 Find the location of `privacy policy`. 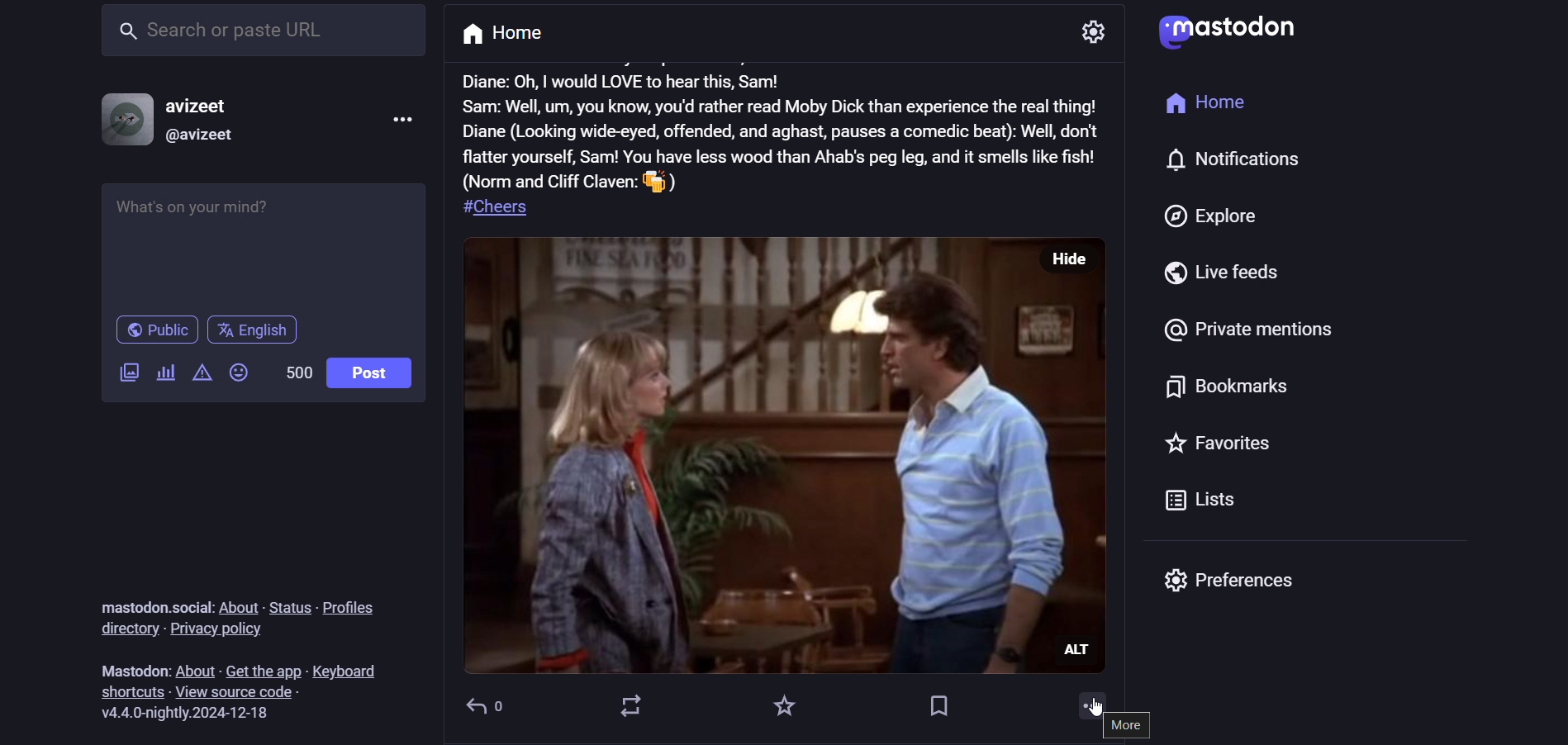

privacy policy is located at coordinates (216, 629).